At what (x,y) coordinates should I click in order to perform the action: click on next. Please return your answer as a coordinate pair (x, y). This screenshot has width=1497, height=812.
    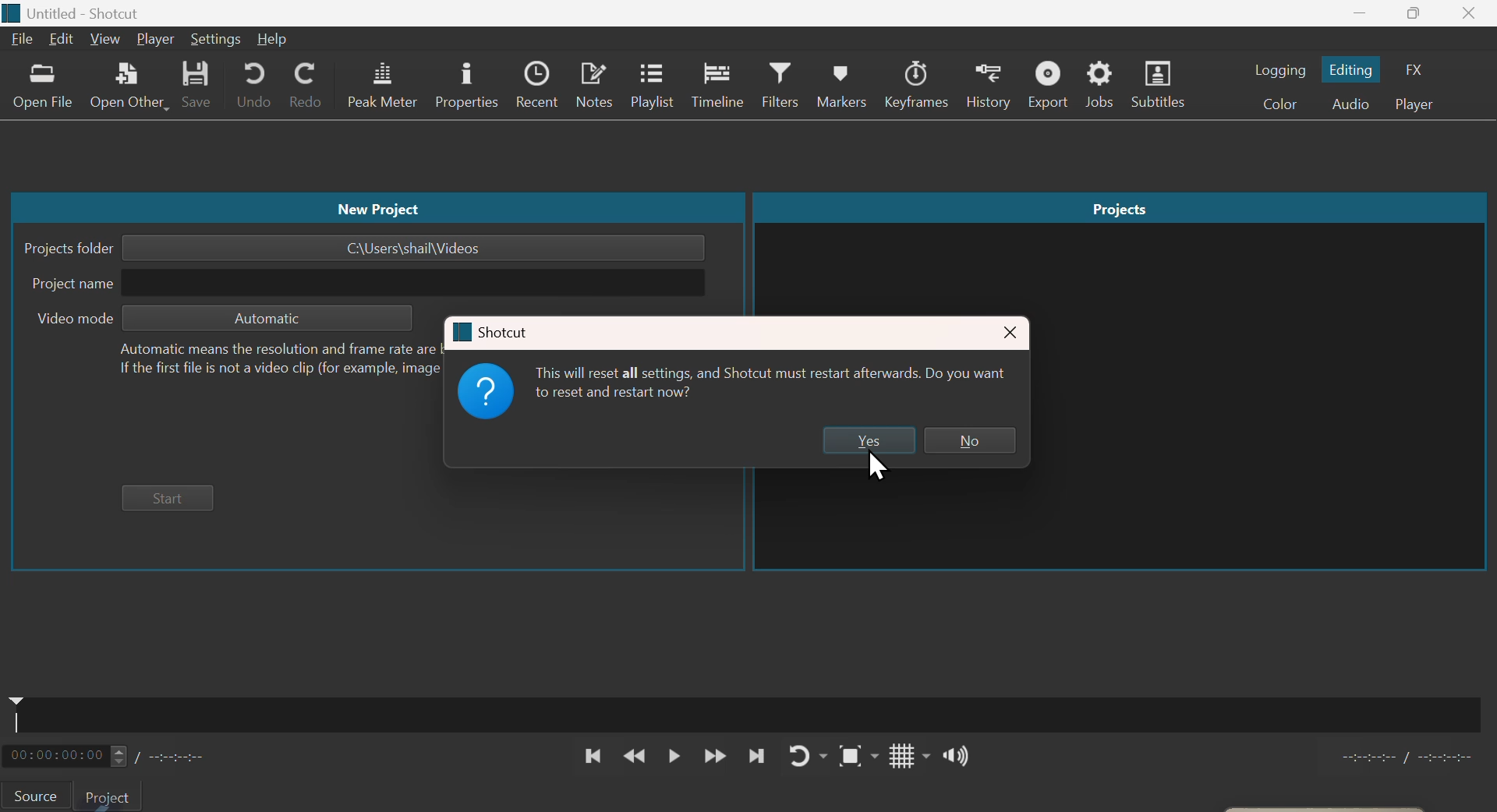
    Looking at the image, I should click on (755, 755).